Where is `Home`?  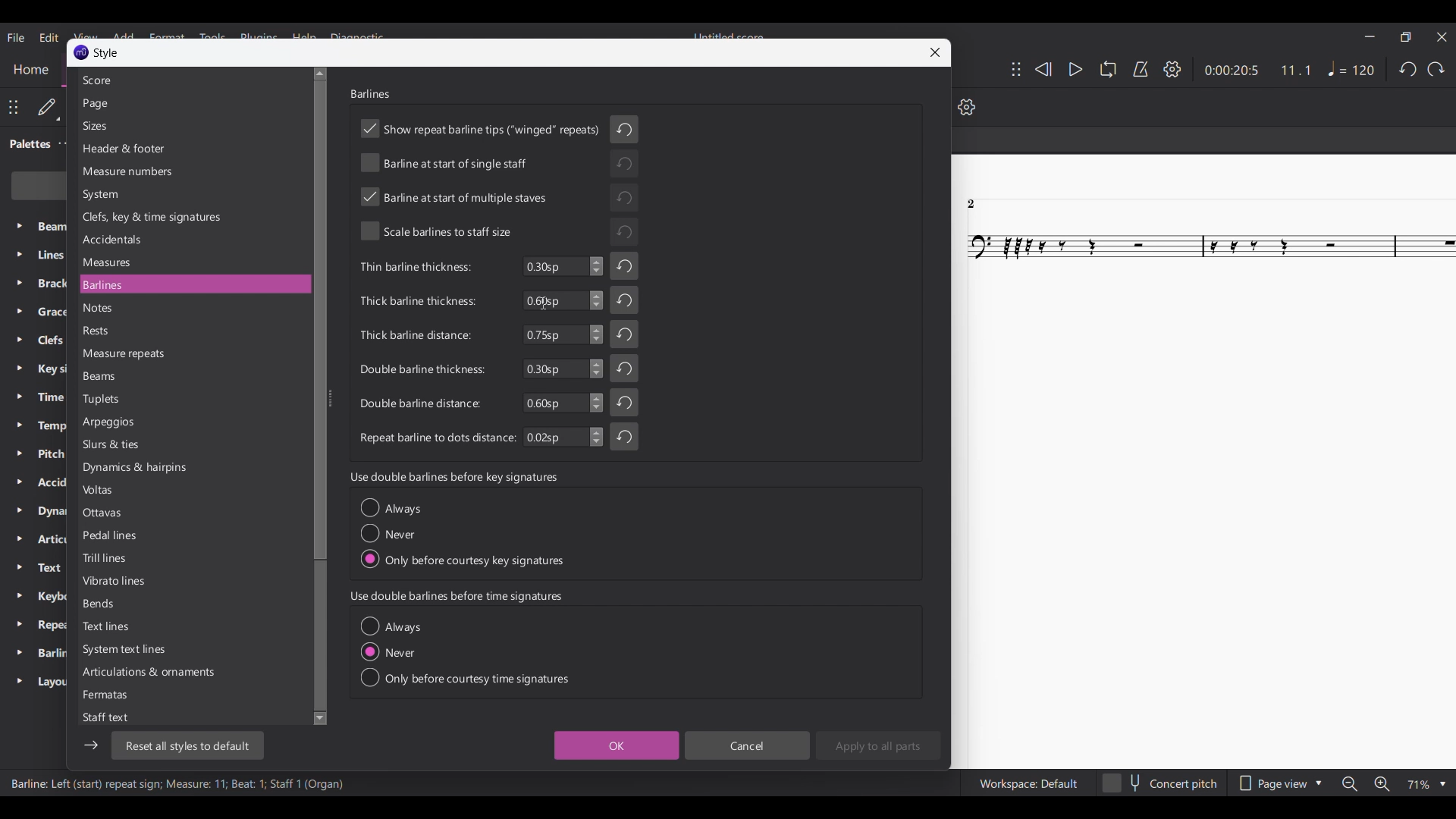
Home is located at coordinates (30, 71).